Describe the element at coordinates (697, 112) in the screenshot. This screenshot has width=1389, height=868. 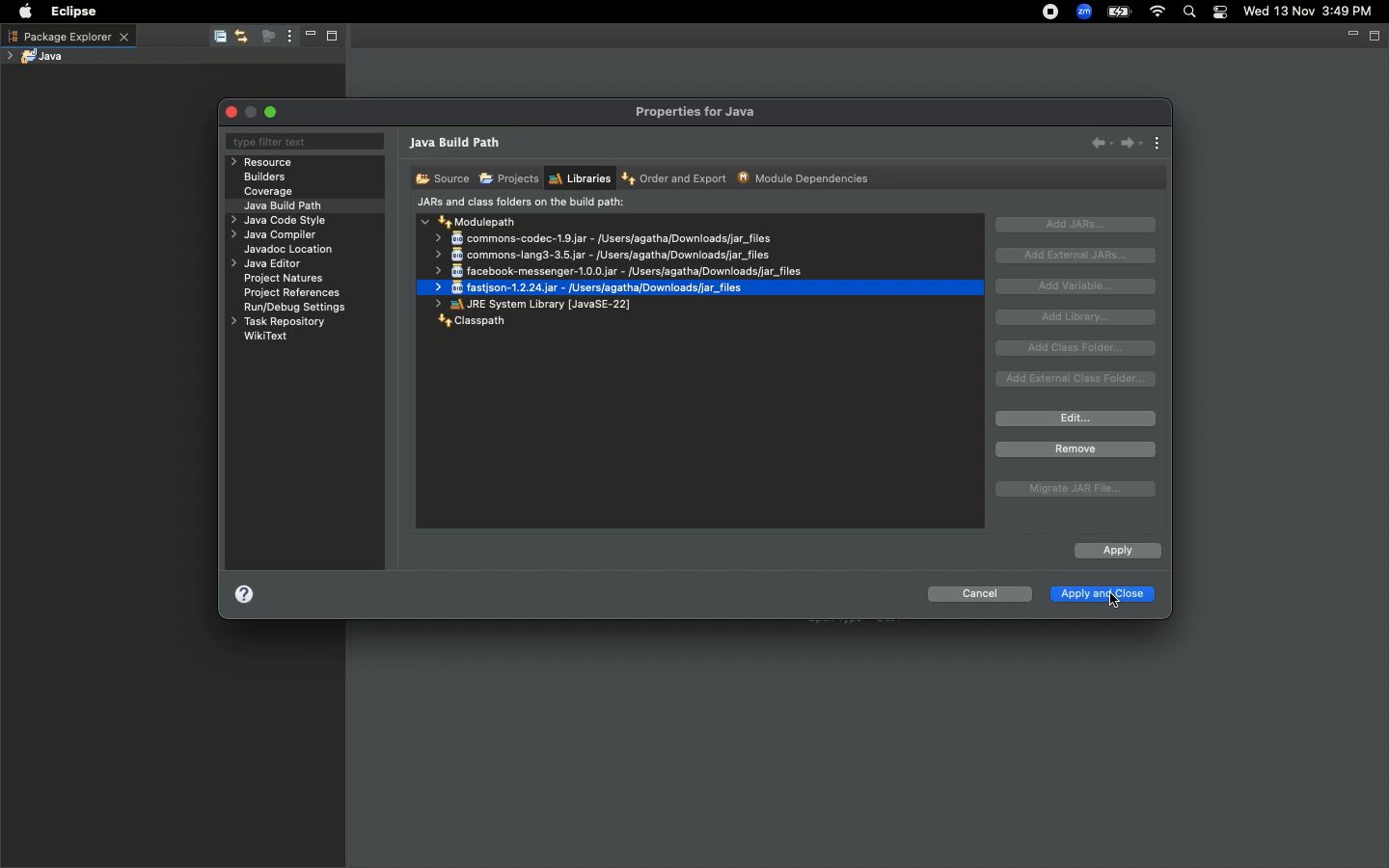
I see `Properties for java` at that location.